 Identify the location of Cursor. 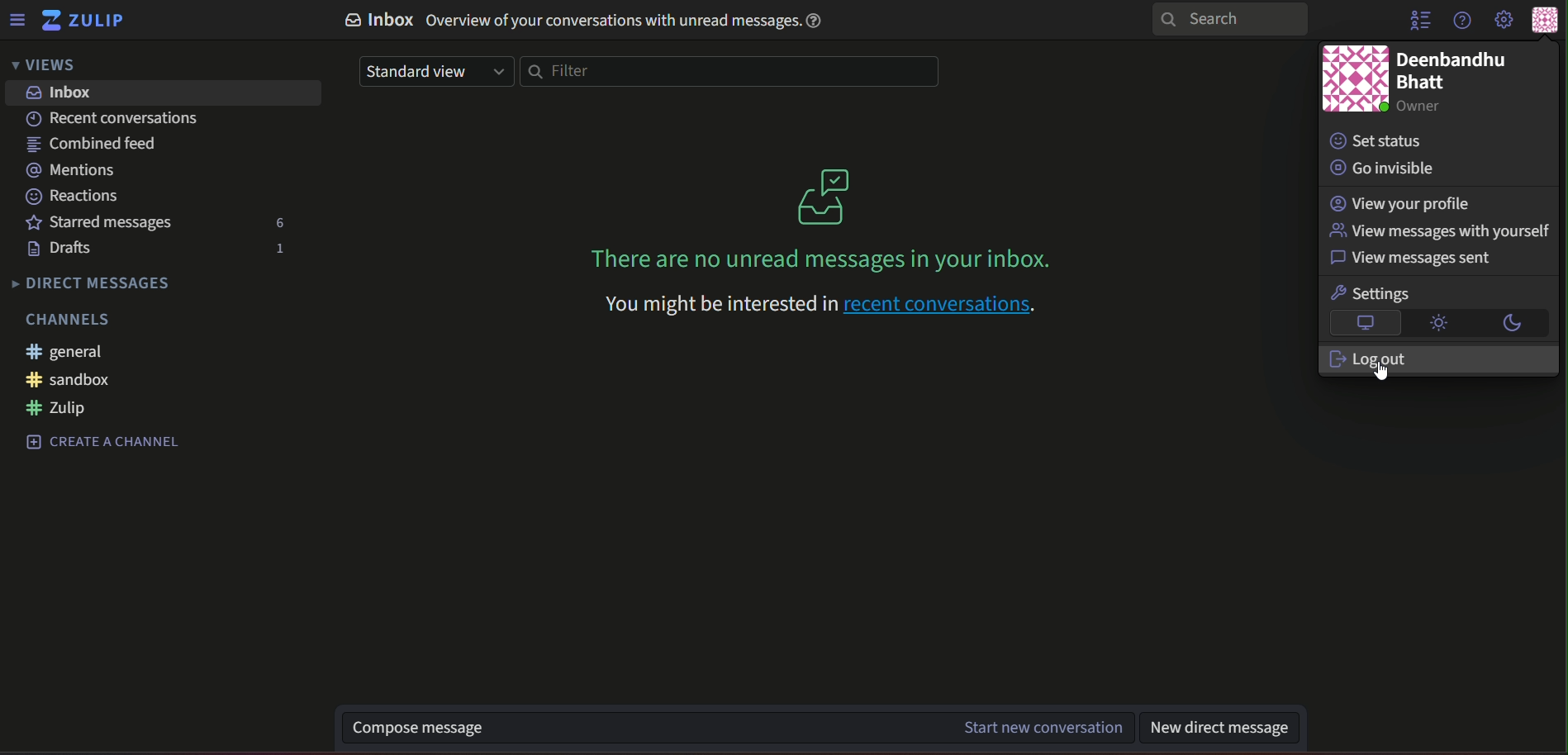
(1380, 373).